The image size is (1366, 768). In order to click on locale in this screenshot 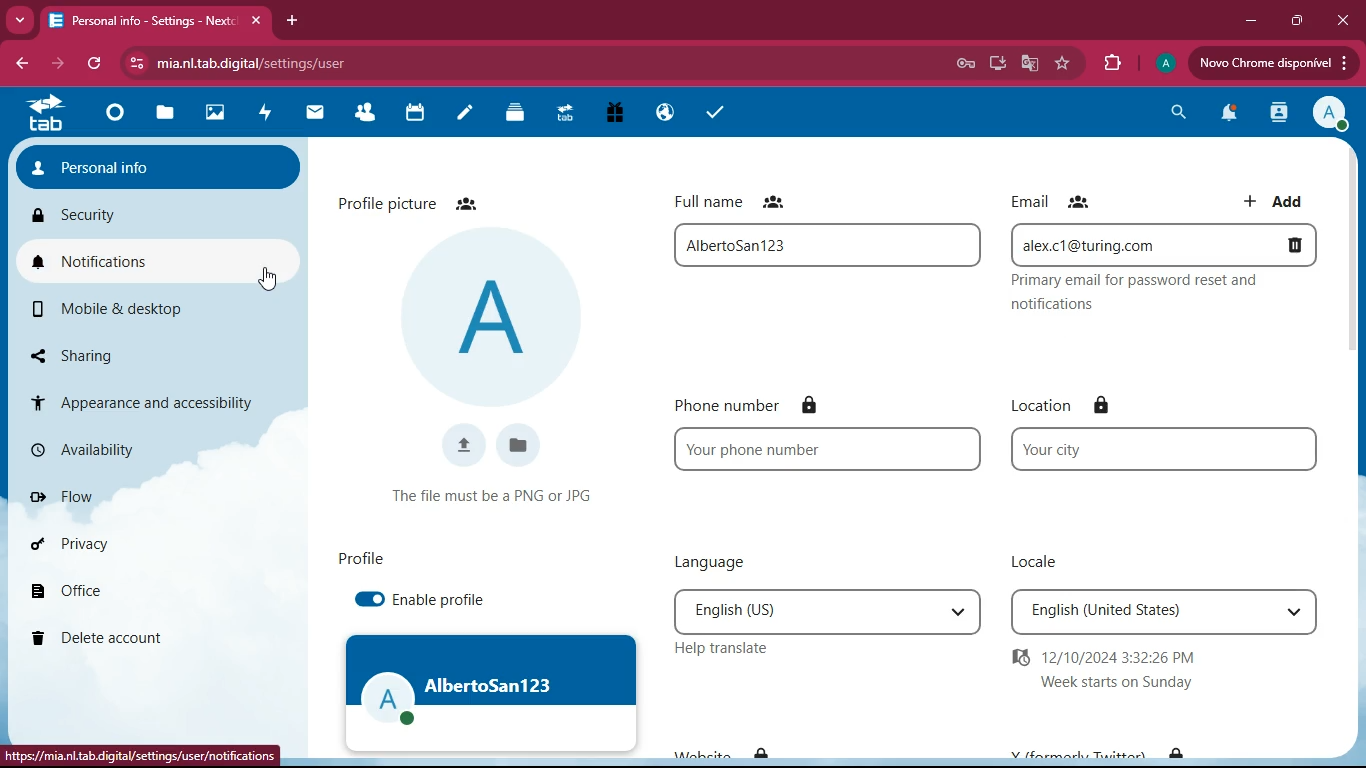, I will do `click(1167, 609)`.